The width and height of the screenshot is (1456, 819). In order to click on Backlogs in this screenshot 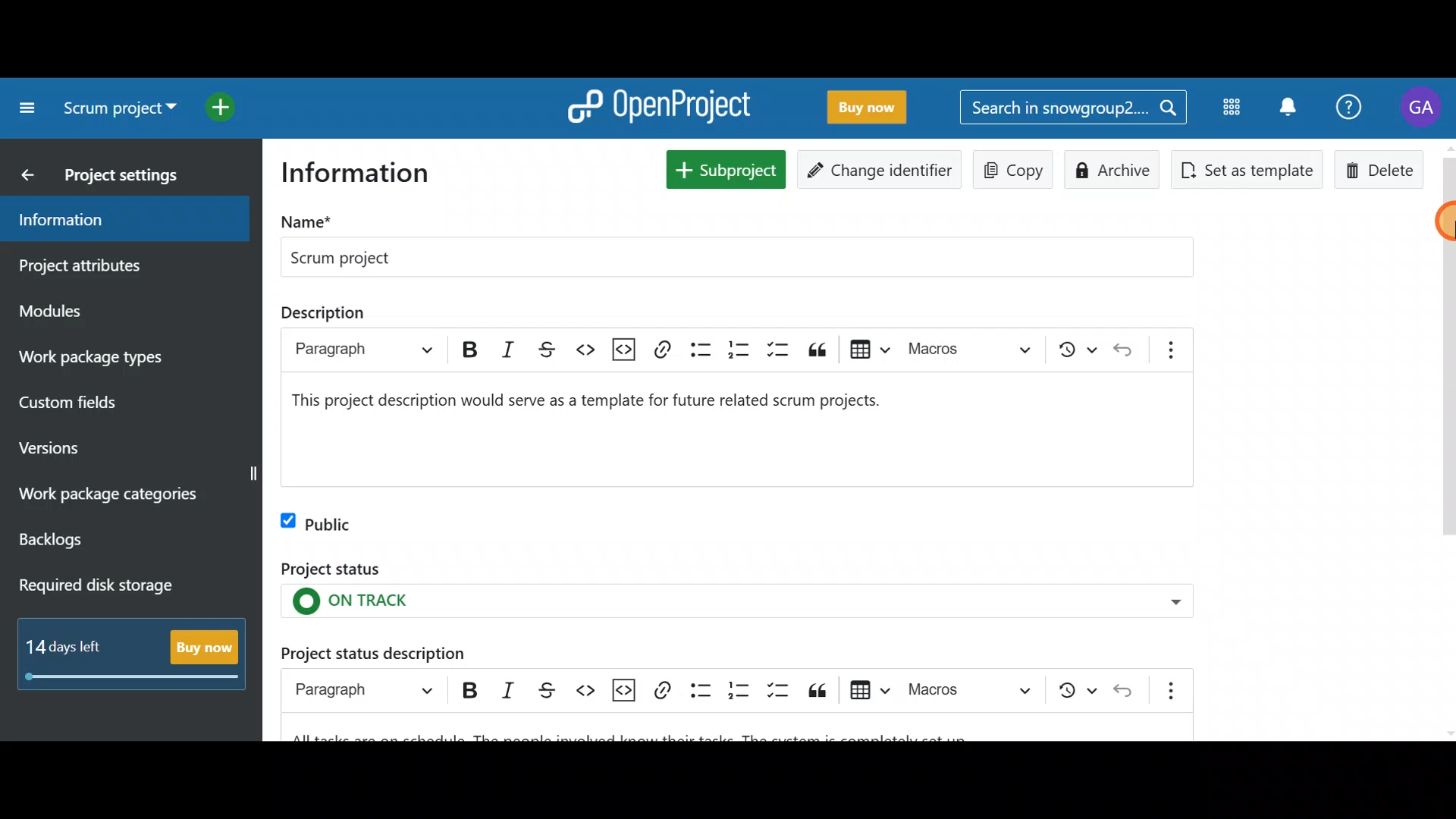, I will do `click(110, 540)`.